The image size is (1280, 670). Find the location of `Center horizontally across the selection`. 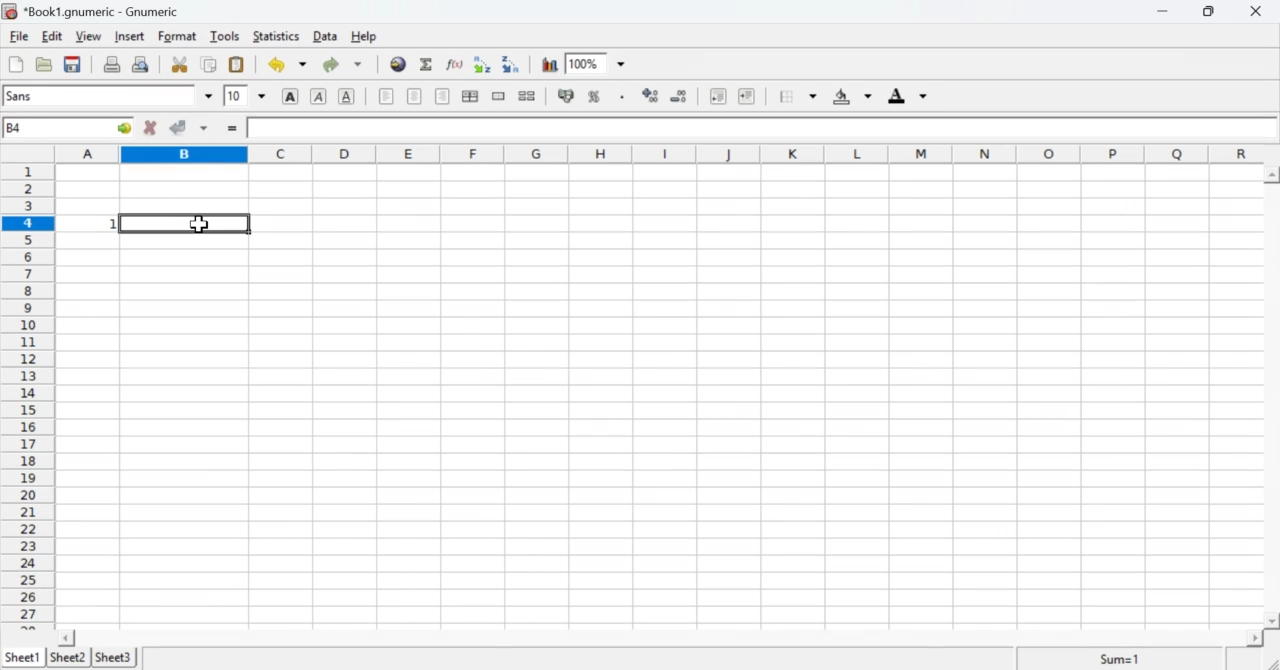

Center horizontally across the selection is located at coordinates (470, 98).